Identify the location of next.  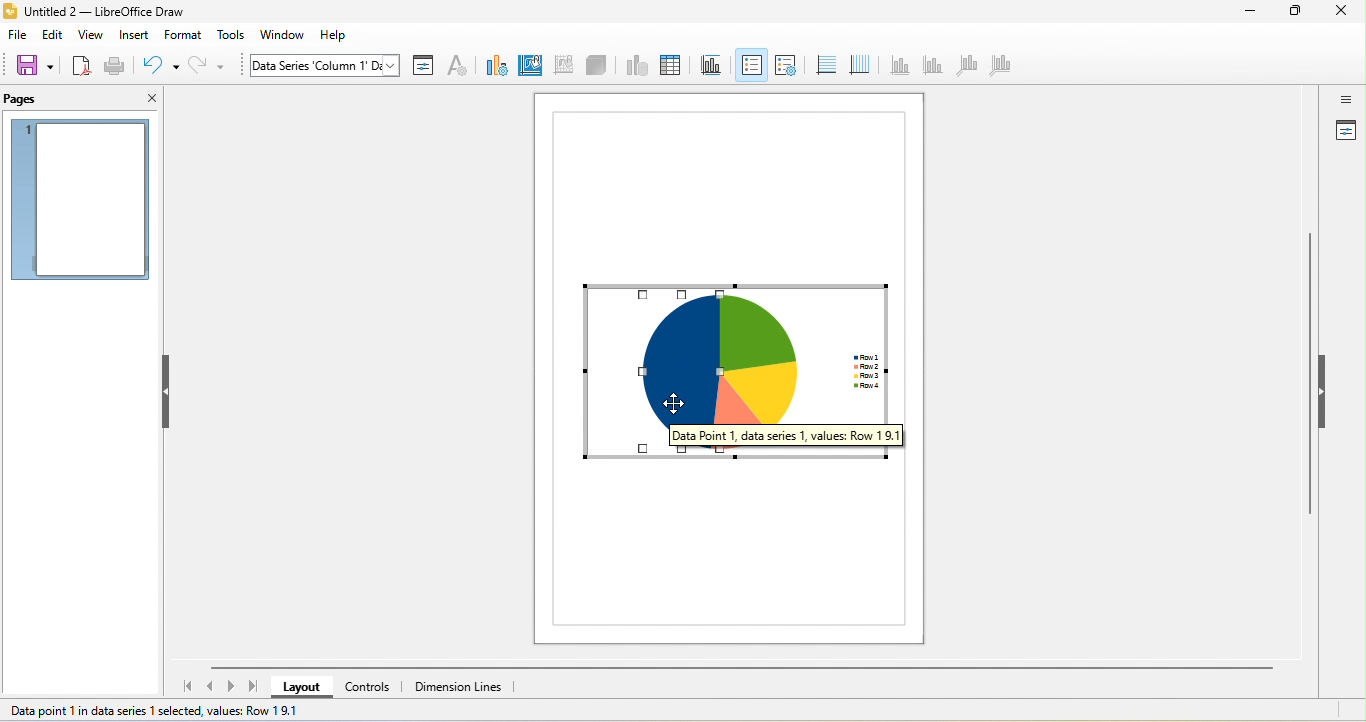
(232, 687).